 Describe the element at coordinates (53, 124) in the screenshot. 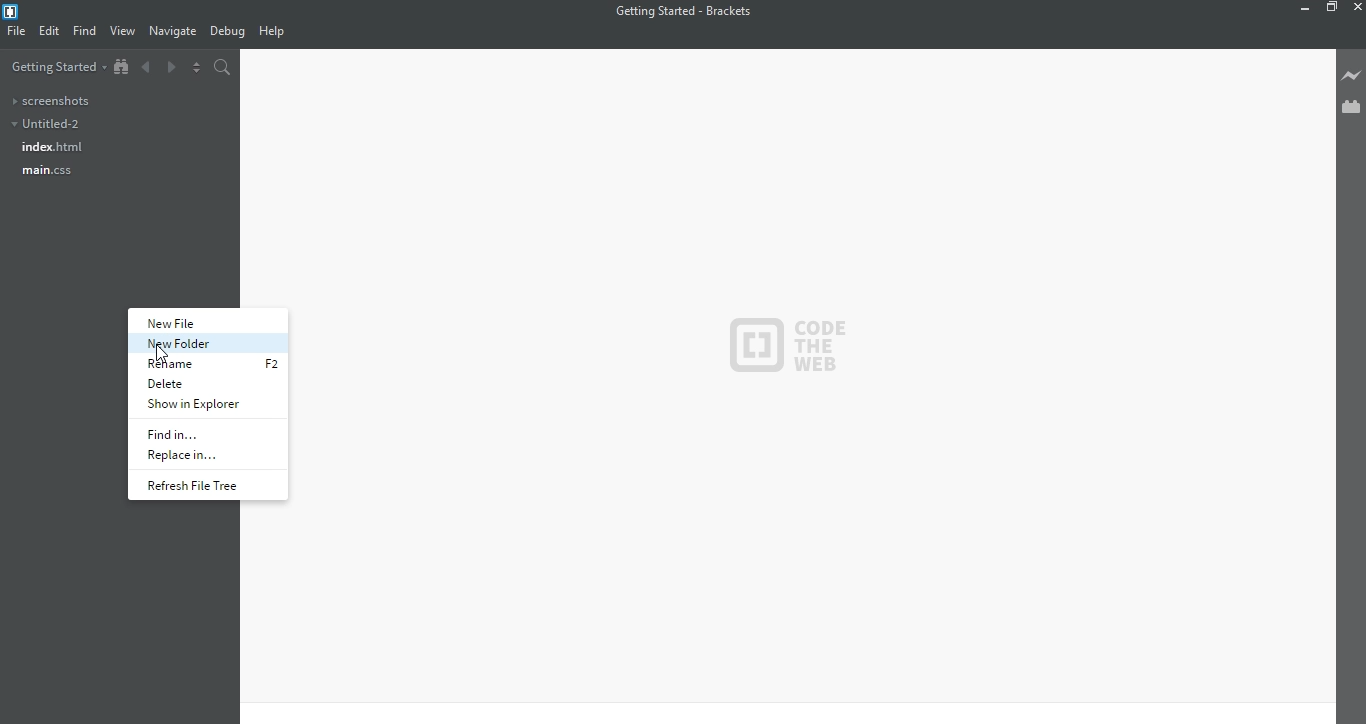

I see `untitled-2` at that location.